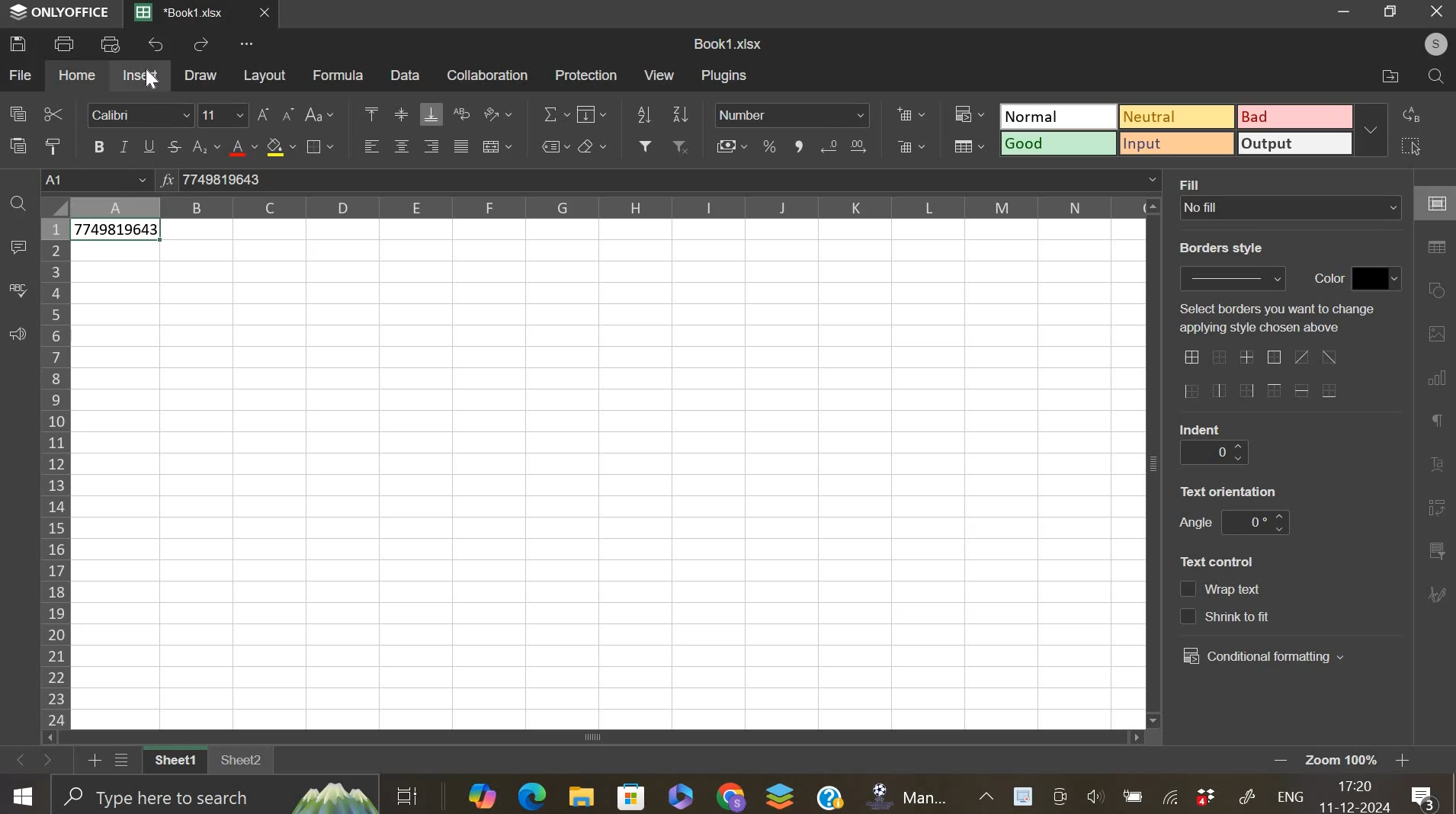  What do you see at coordinates (433, 146) in the screenshot?
I see `align right` at bounding box center [433, 146].